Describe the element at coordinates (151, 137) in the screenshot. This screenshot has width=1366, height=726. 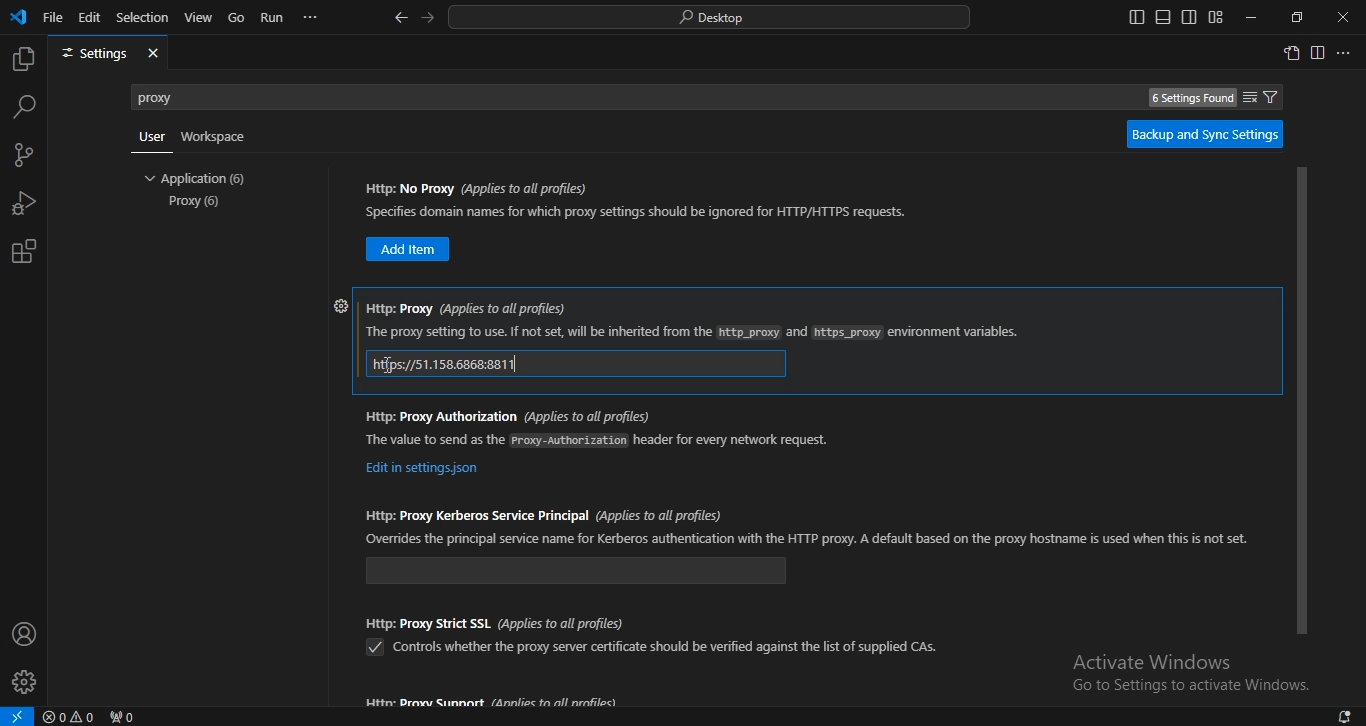
I see `user` at that location.